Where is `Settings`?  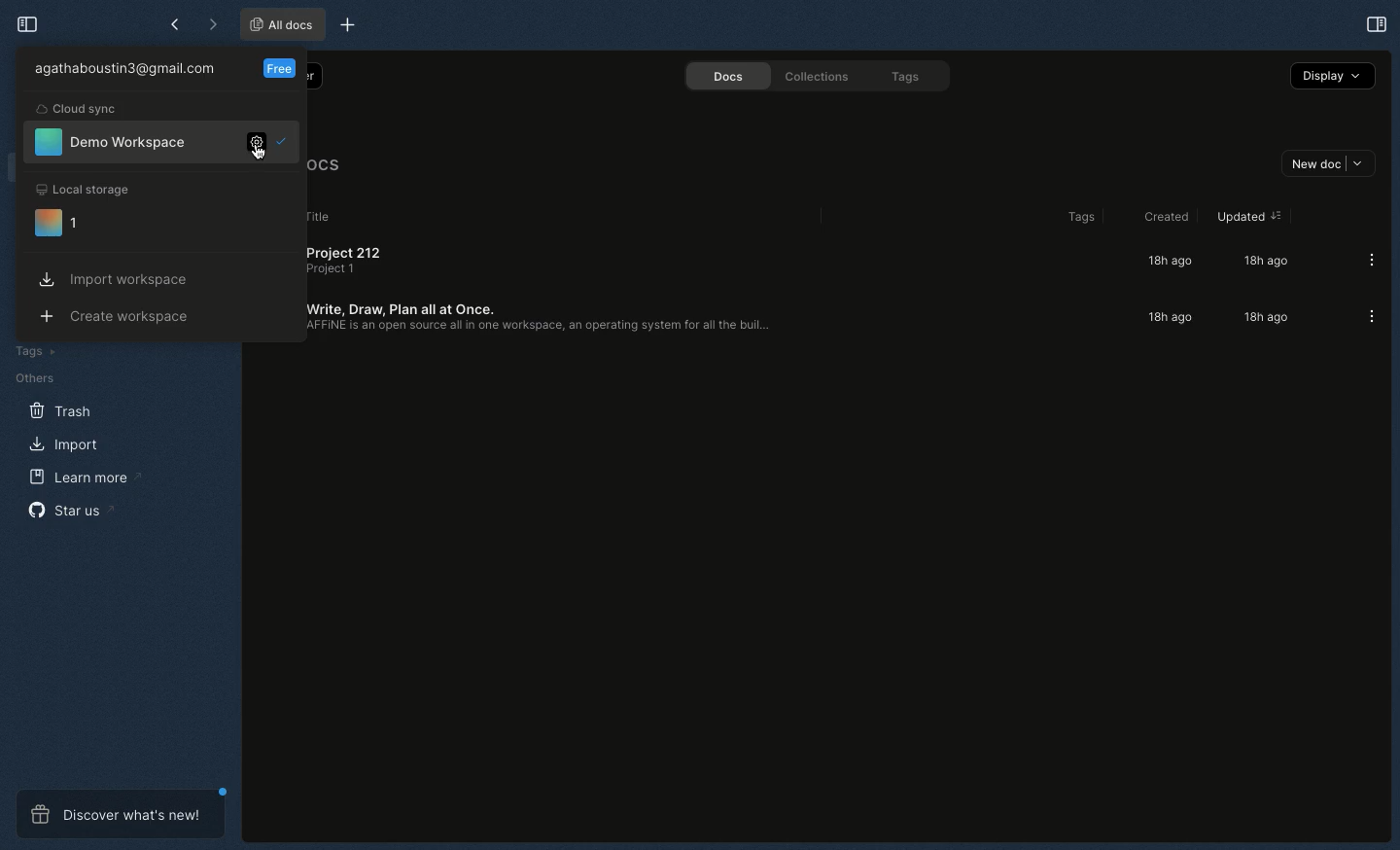 Settings is located at coordinates (254, 145).